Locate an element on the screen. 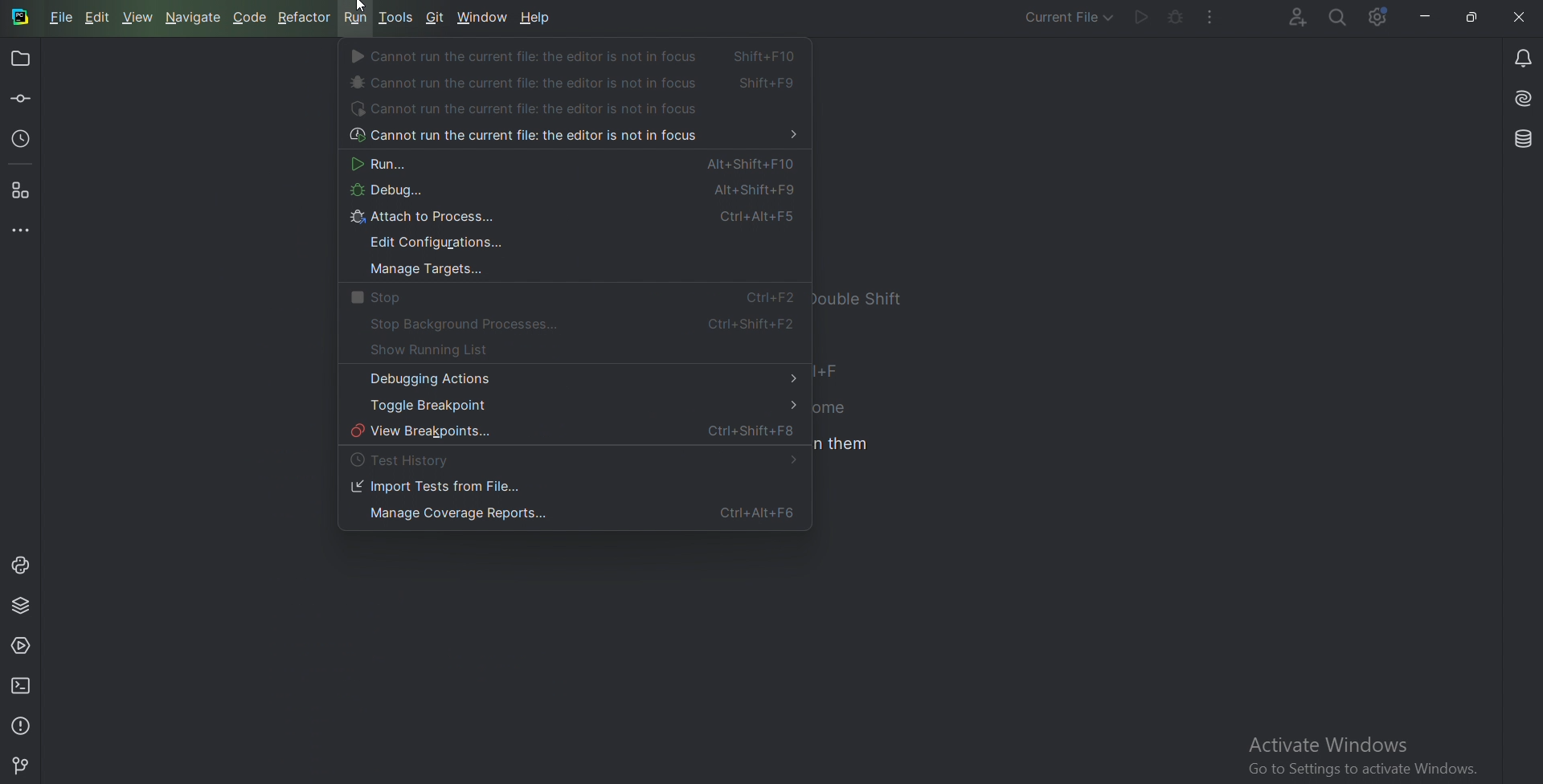  Run is located at coordinates (568, 165).